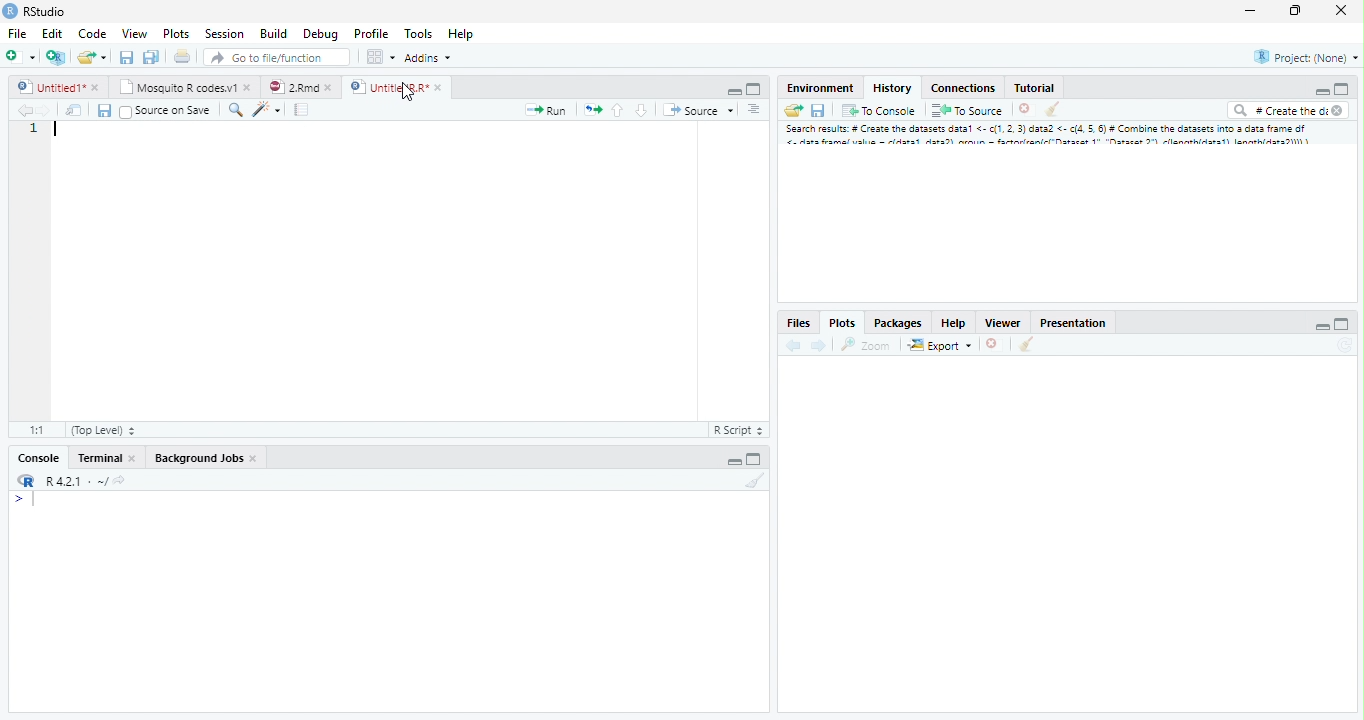  Describe the element at coordinates (298, 85) in the screenshot. I see `2.Rmd` at that location.